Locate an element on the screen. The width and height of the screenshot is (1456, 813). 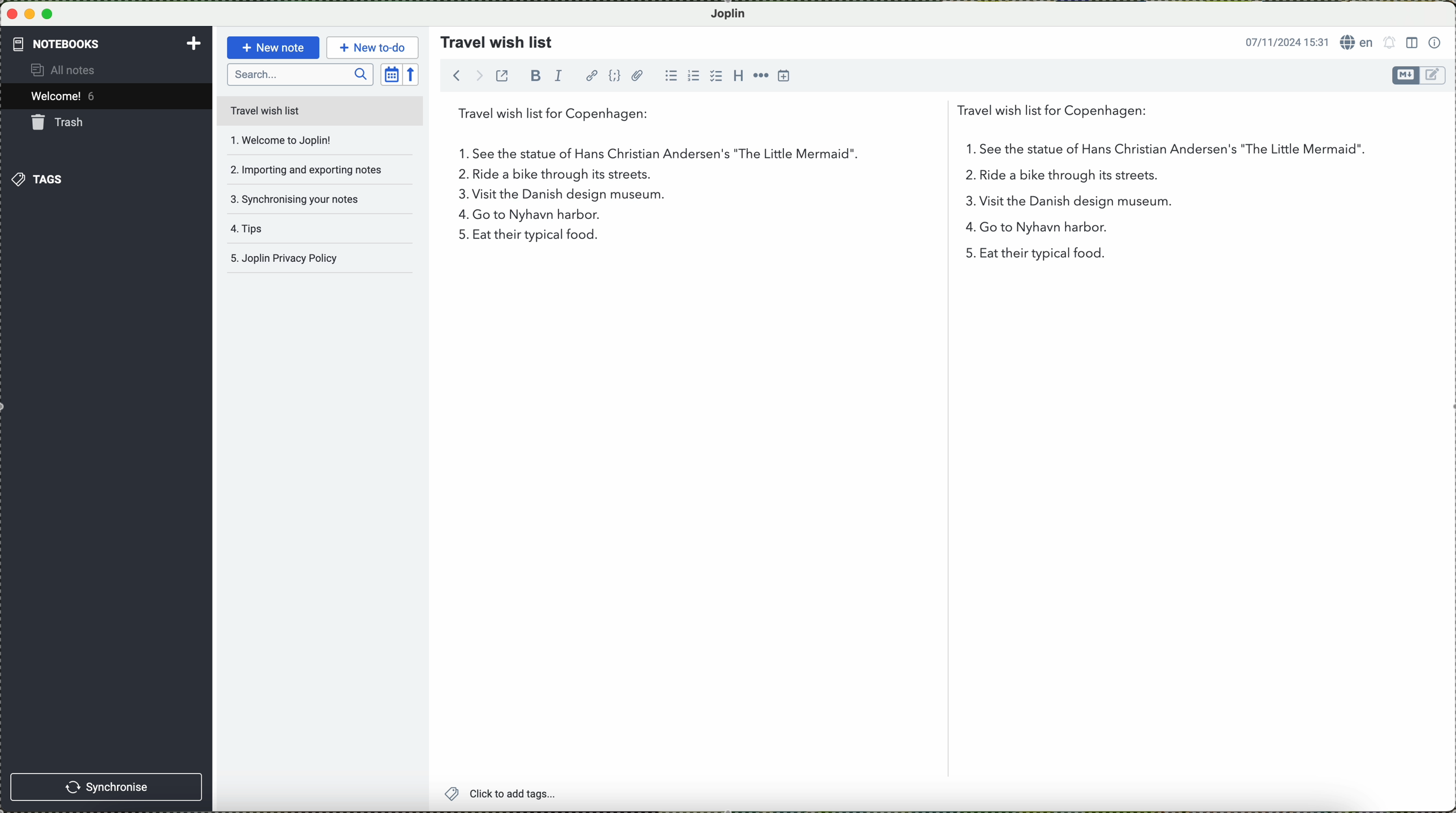
italic is located at coordinates (562, 77).